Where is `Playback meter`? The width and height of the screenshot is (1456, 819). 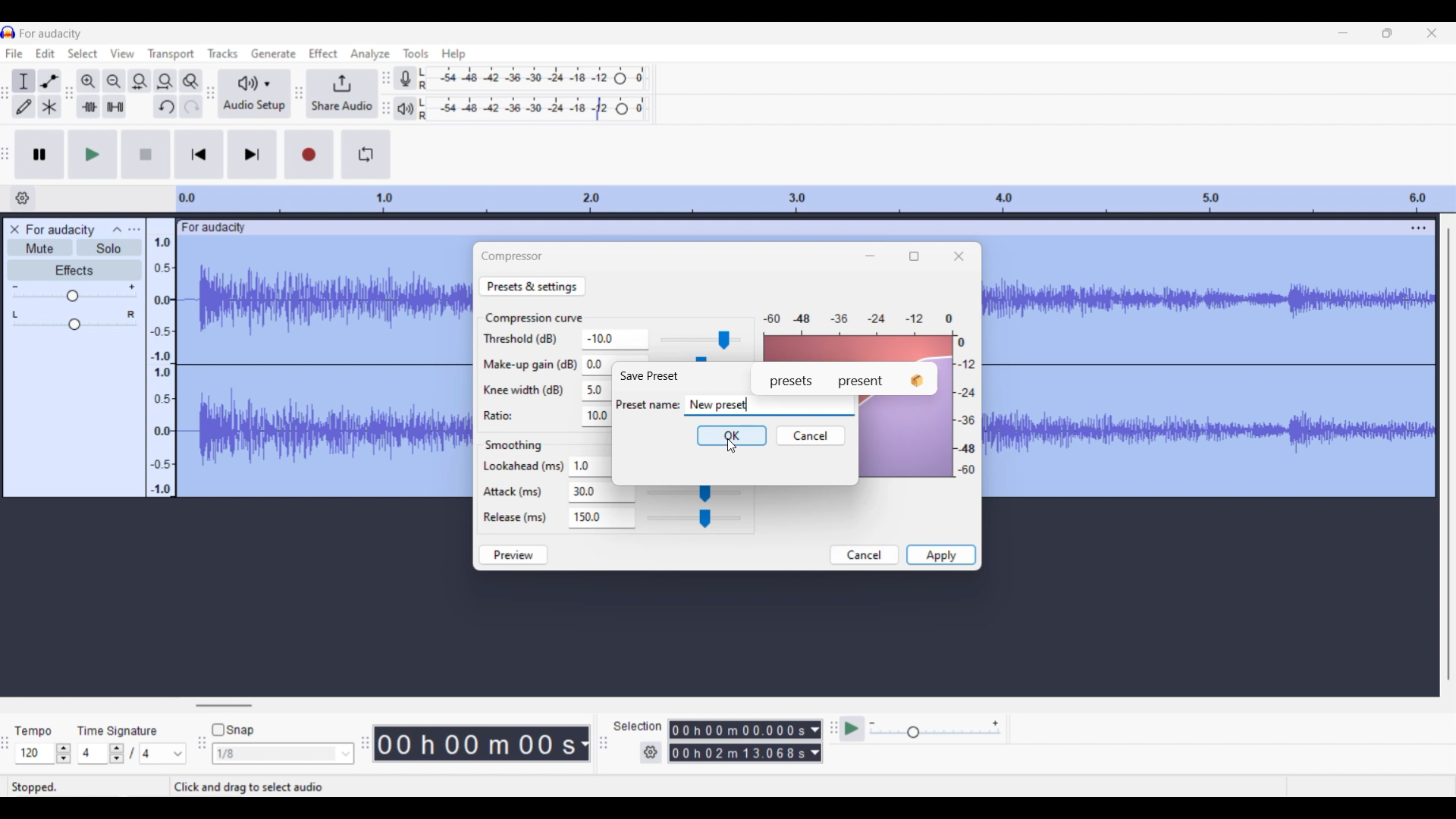
Playback meter is located at coordinates (405, 109).